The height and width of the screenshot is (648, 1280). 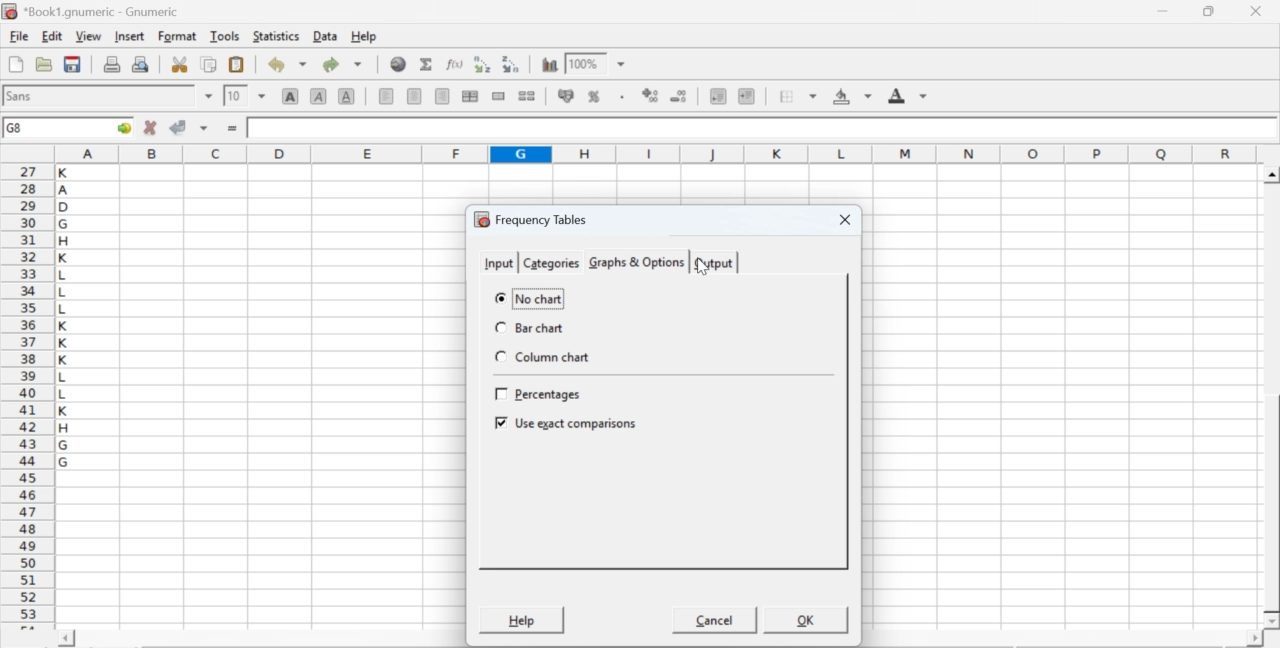 I want to click on decrease number of decimals displayed, so click(x=678, y=97).